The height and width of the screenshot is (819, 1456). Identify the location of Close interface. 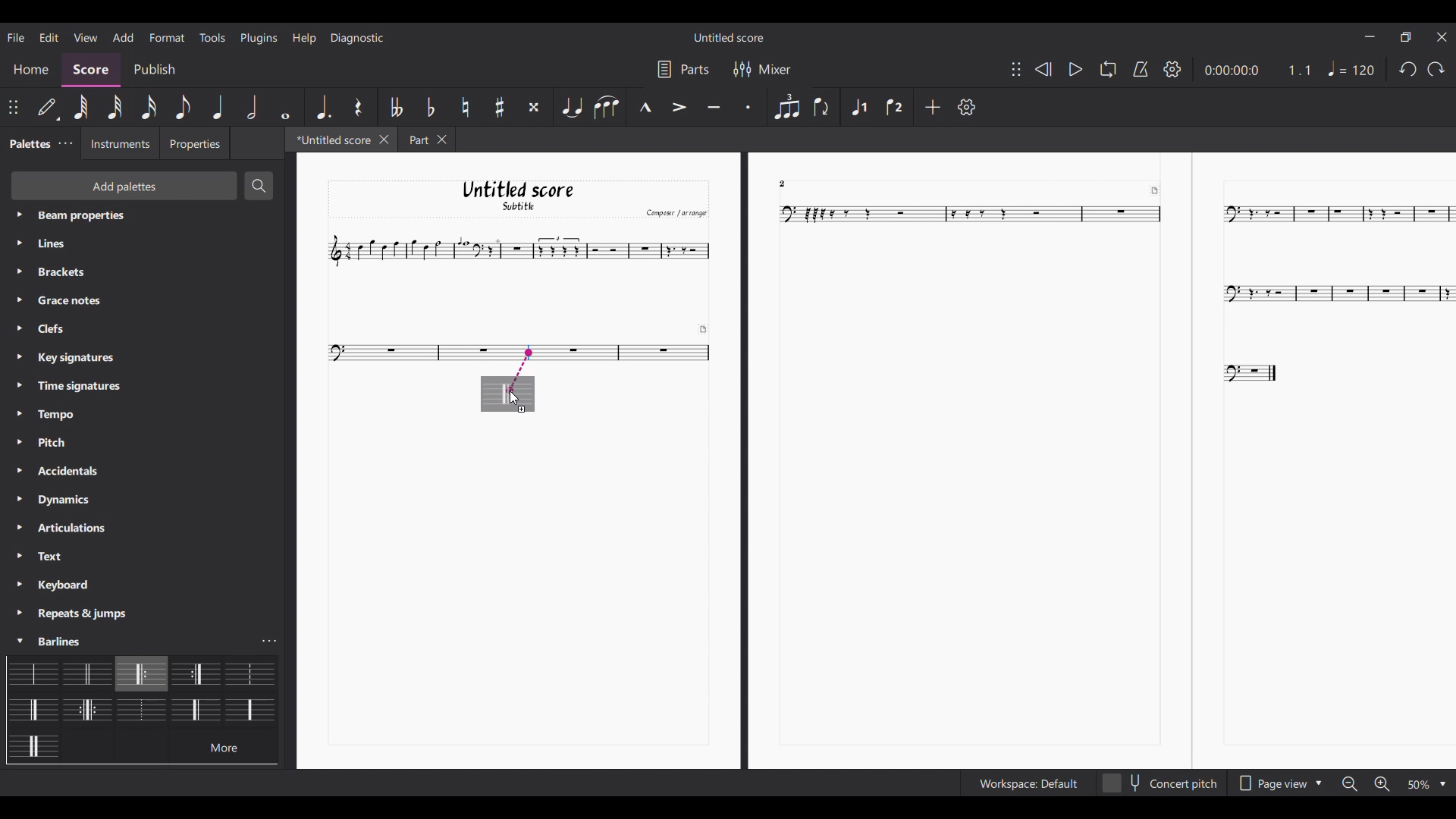
(1442, 37).